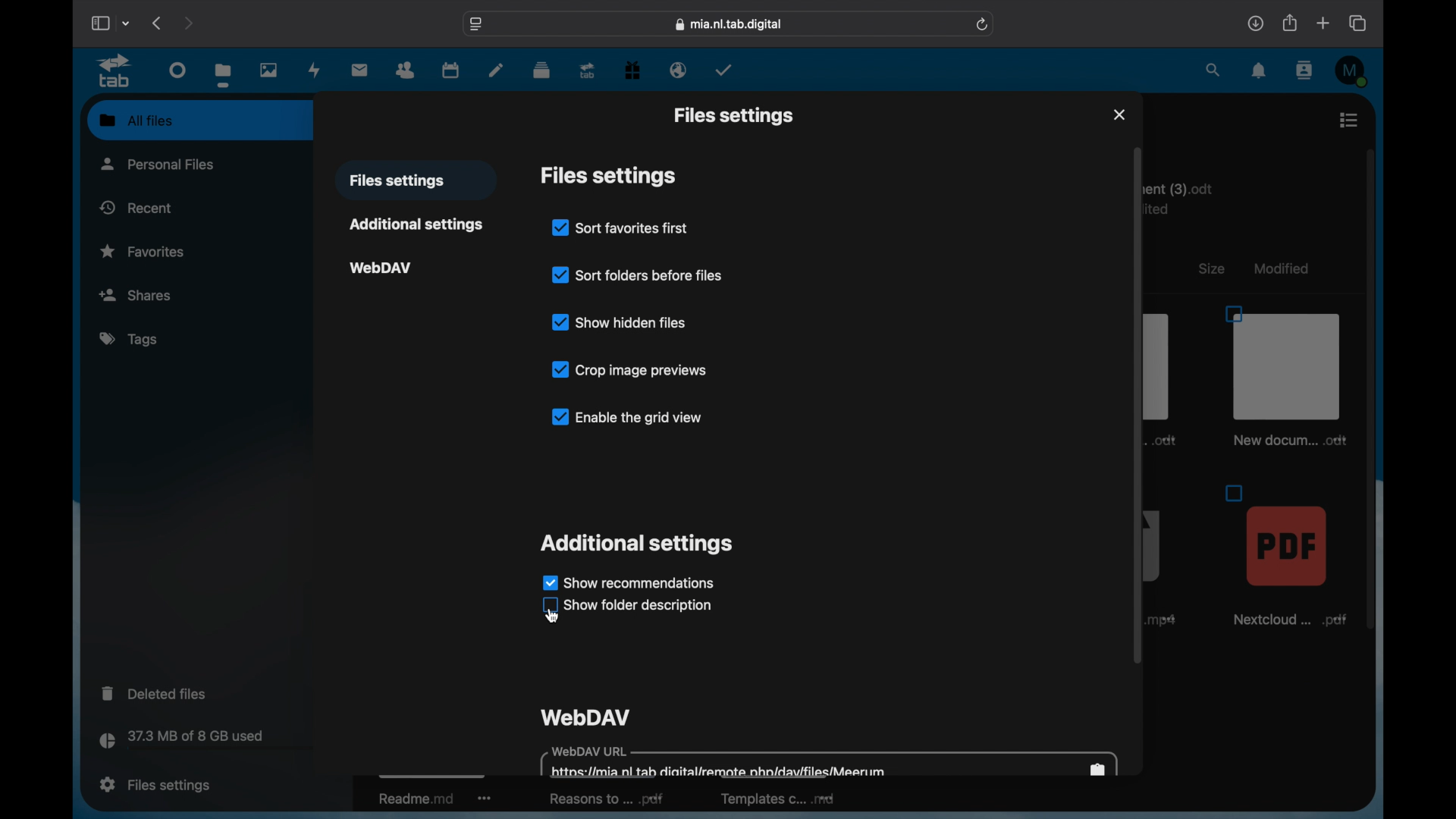  What do you see at coordinates (635, 544) in the screenshot?
I see `additional settings` at bounding box center [635, 544].